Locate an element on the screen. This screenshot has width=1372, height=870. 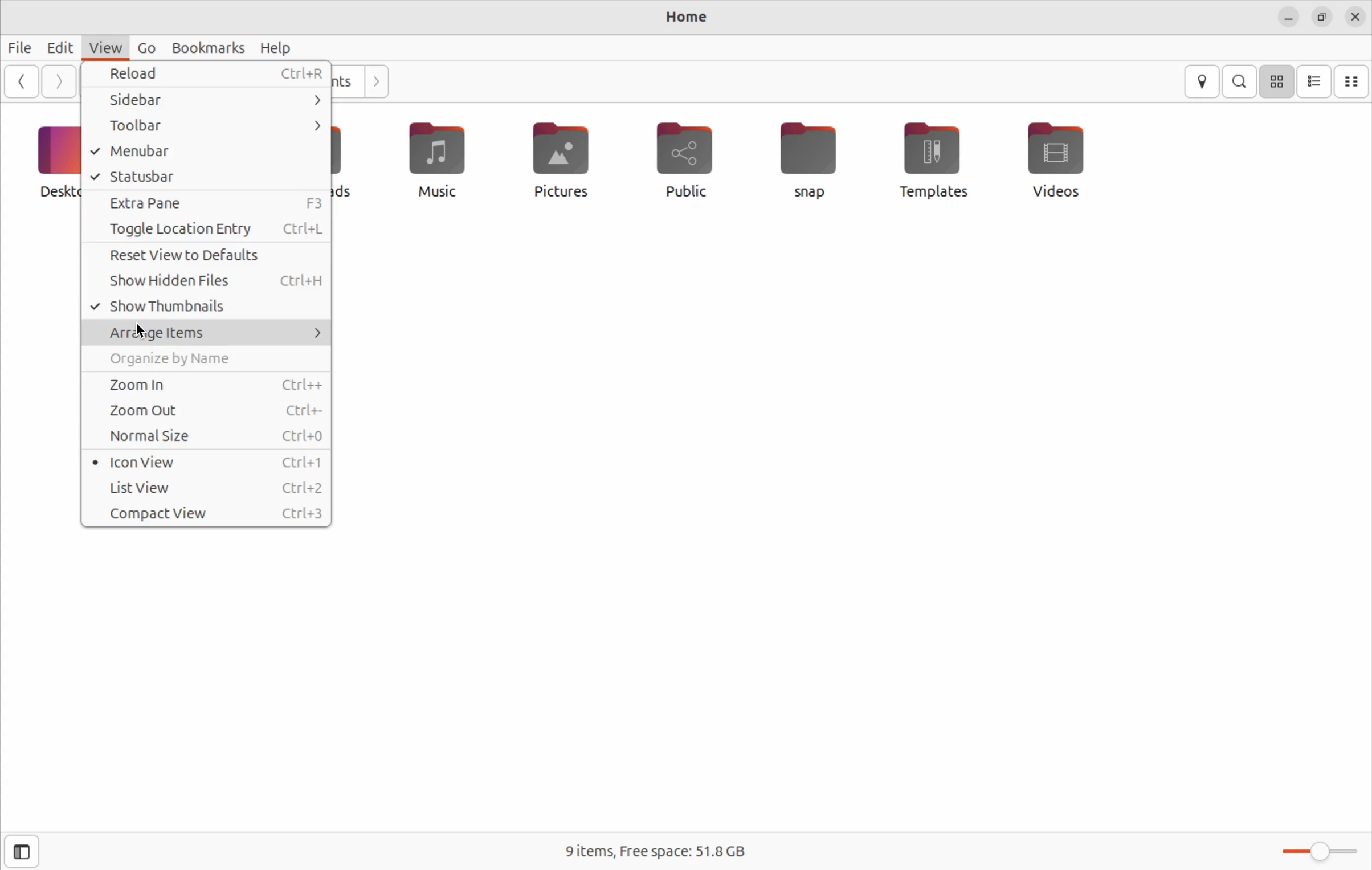
toolbar is located at coordinates (208, 126).